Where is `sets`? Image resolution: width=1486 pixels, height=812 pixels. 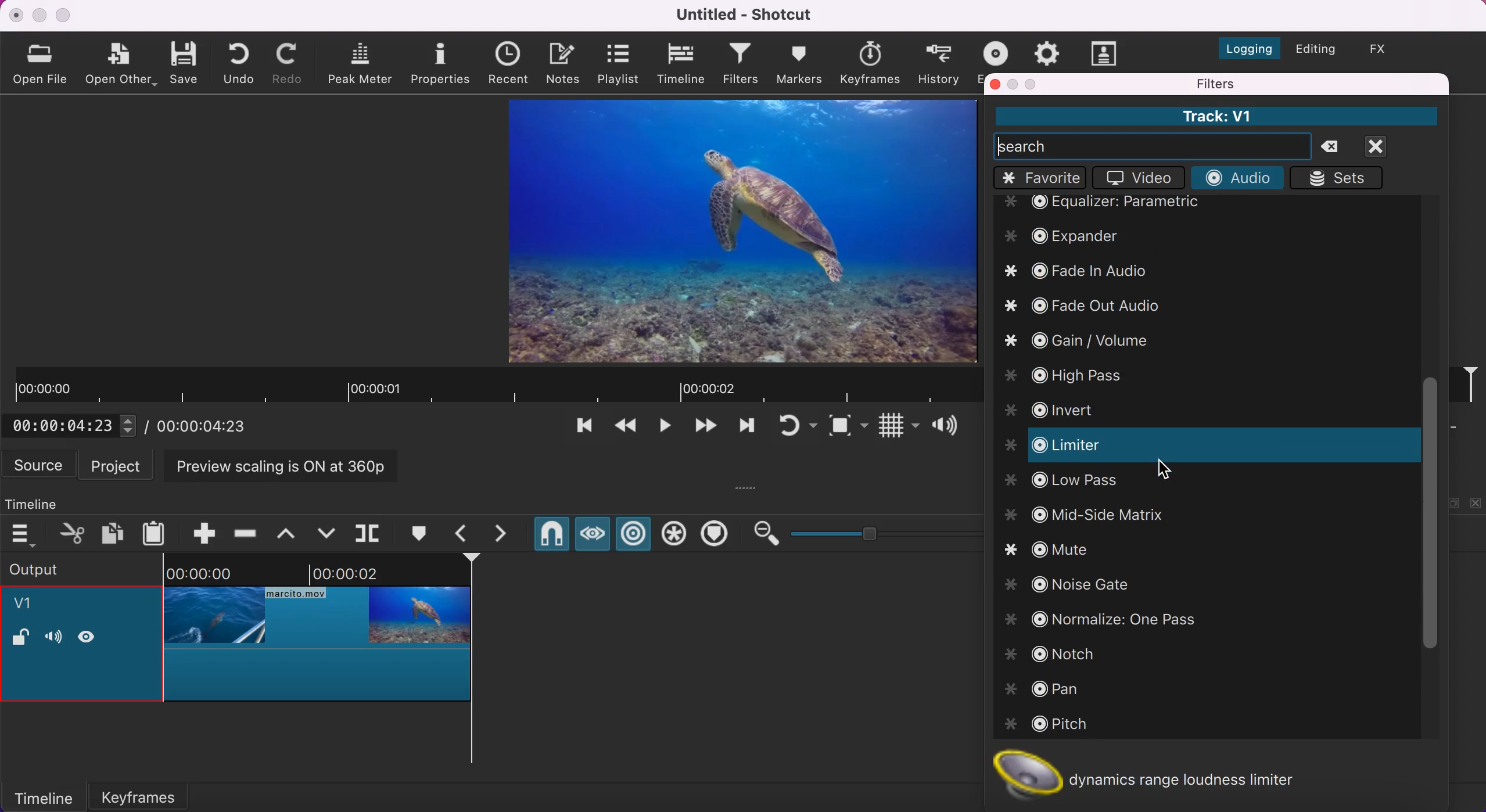
sets is located at coordinates (1341, 178).